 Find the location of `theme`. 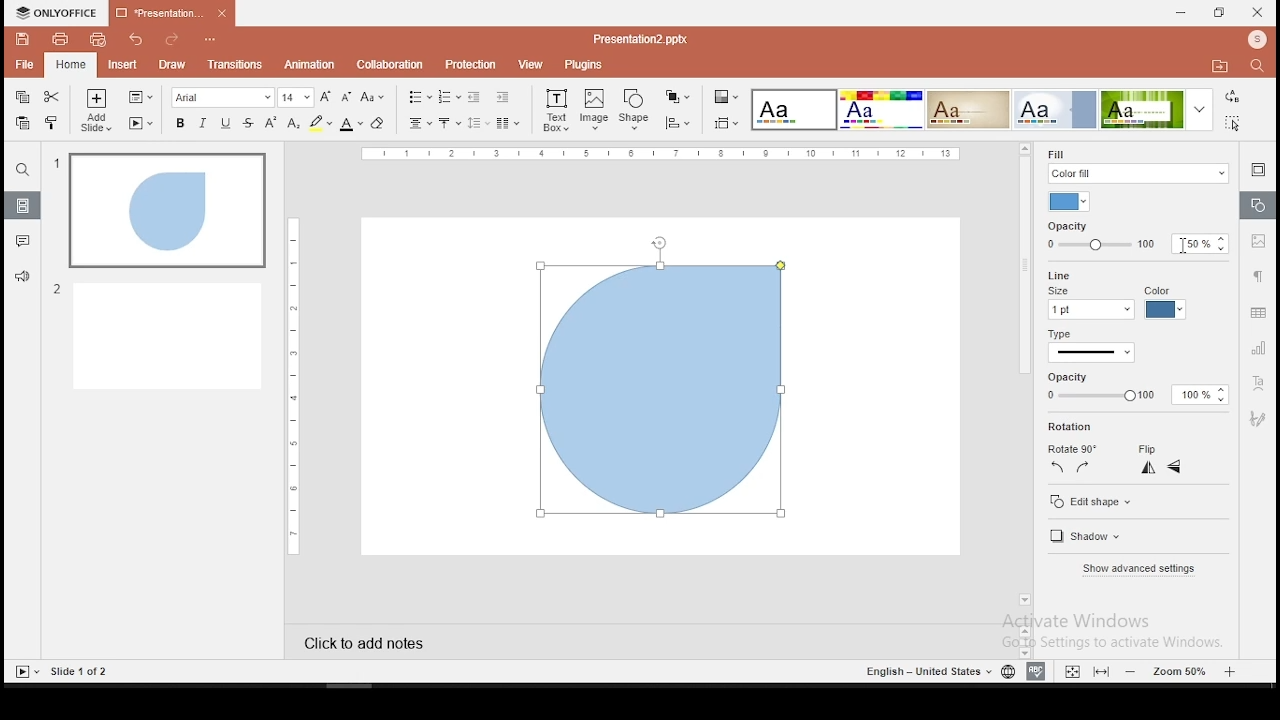

theme is located at coordinates (792, 110).